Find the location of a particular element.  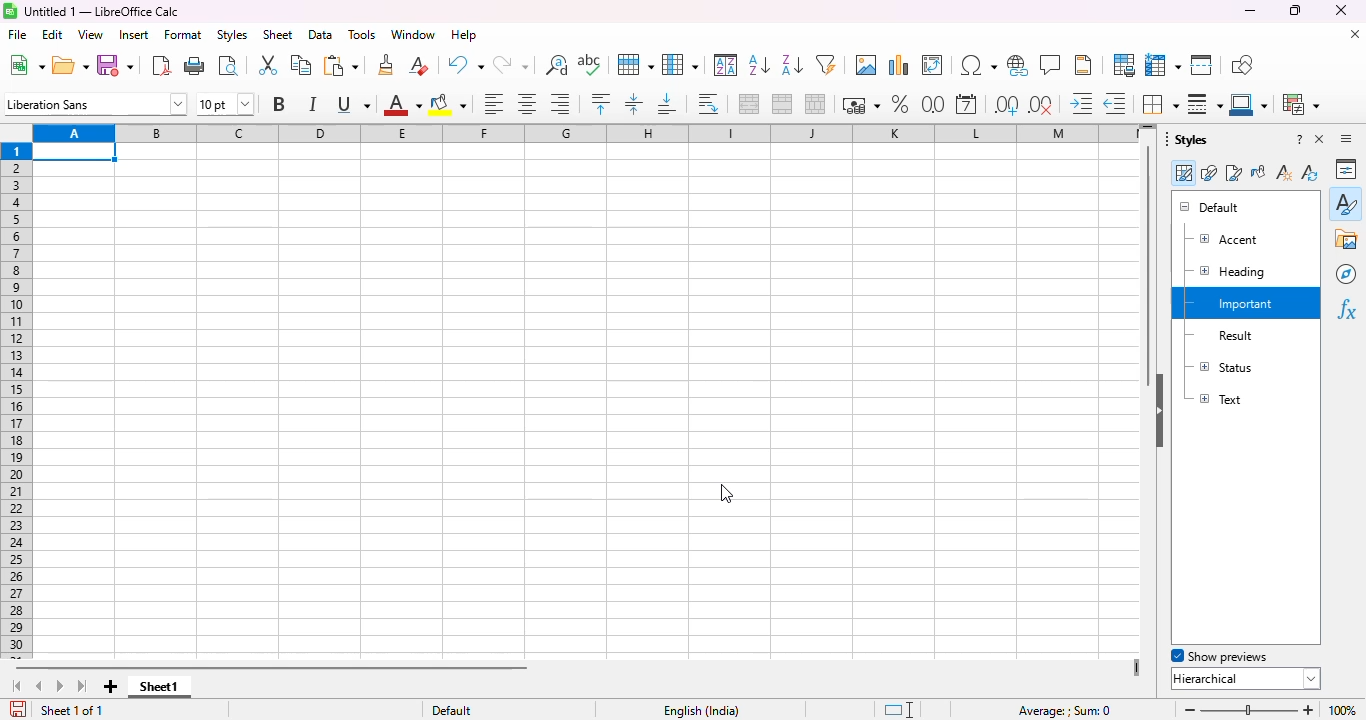

row is located at coordinates (635, 64).